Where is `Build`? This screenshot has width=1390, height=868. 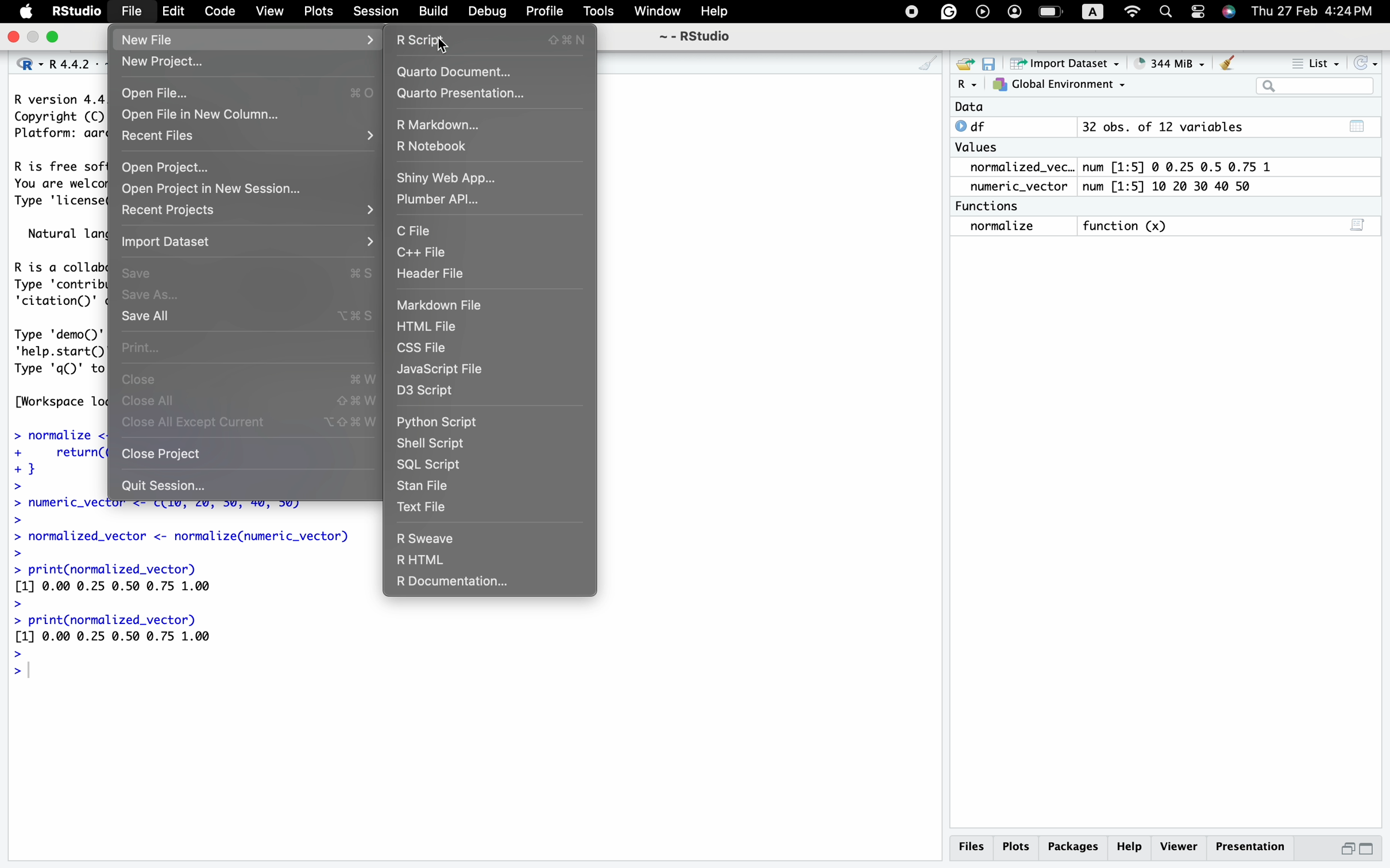
Build is located at coordinates (434, 14).